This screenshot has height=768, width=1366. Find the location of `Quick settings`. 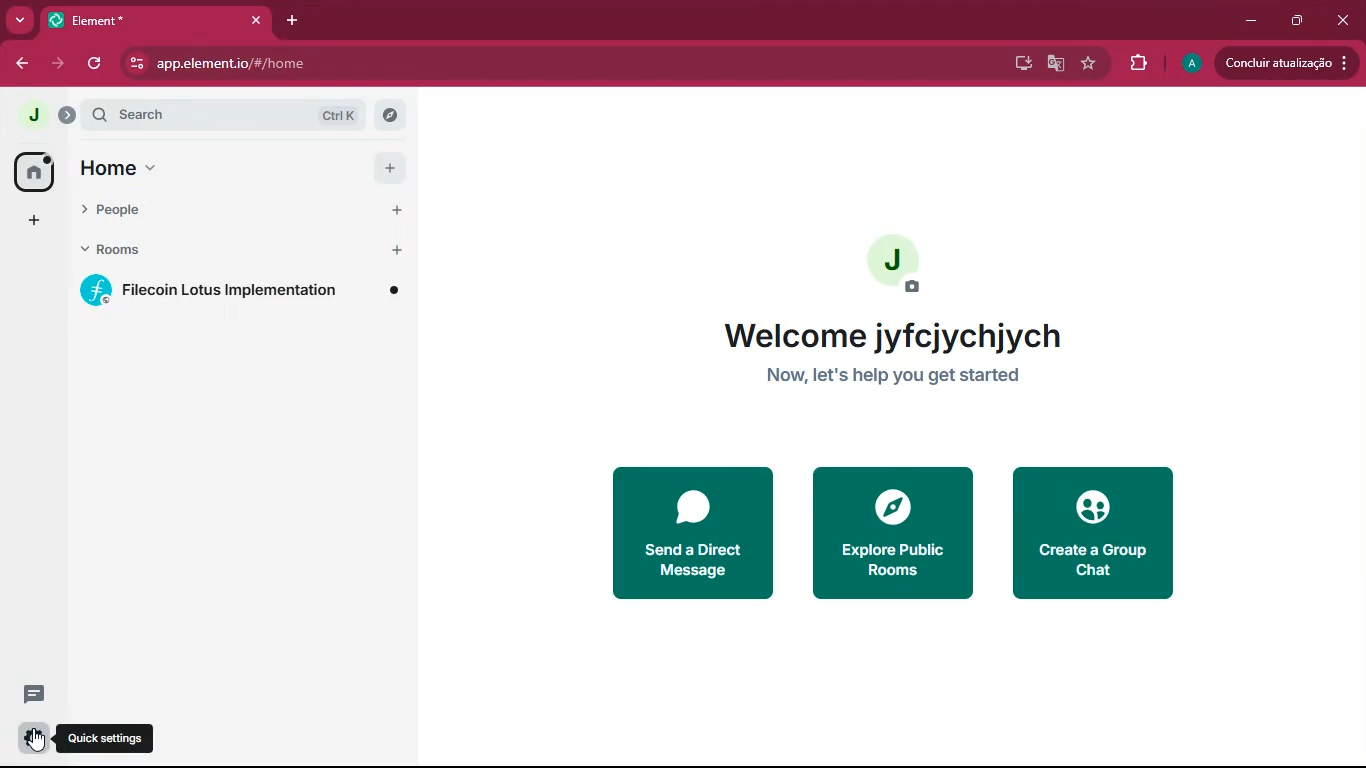

Quick settings is located at coordinates (110, 740).